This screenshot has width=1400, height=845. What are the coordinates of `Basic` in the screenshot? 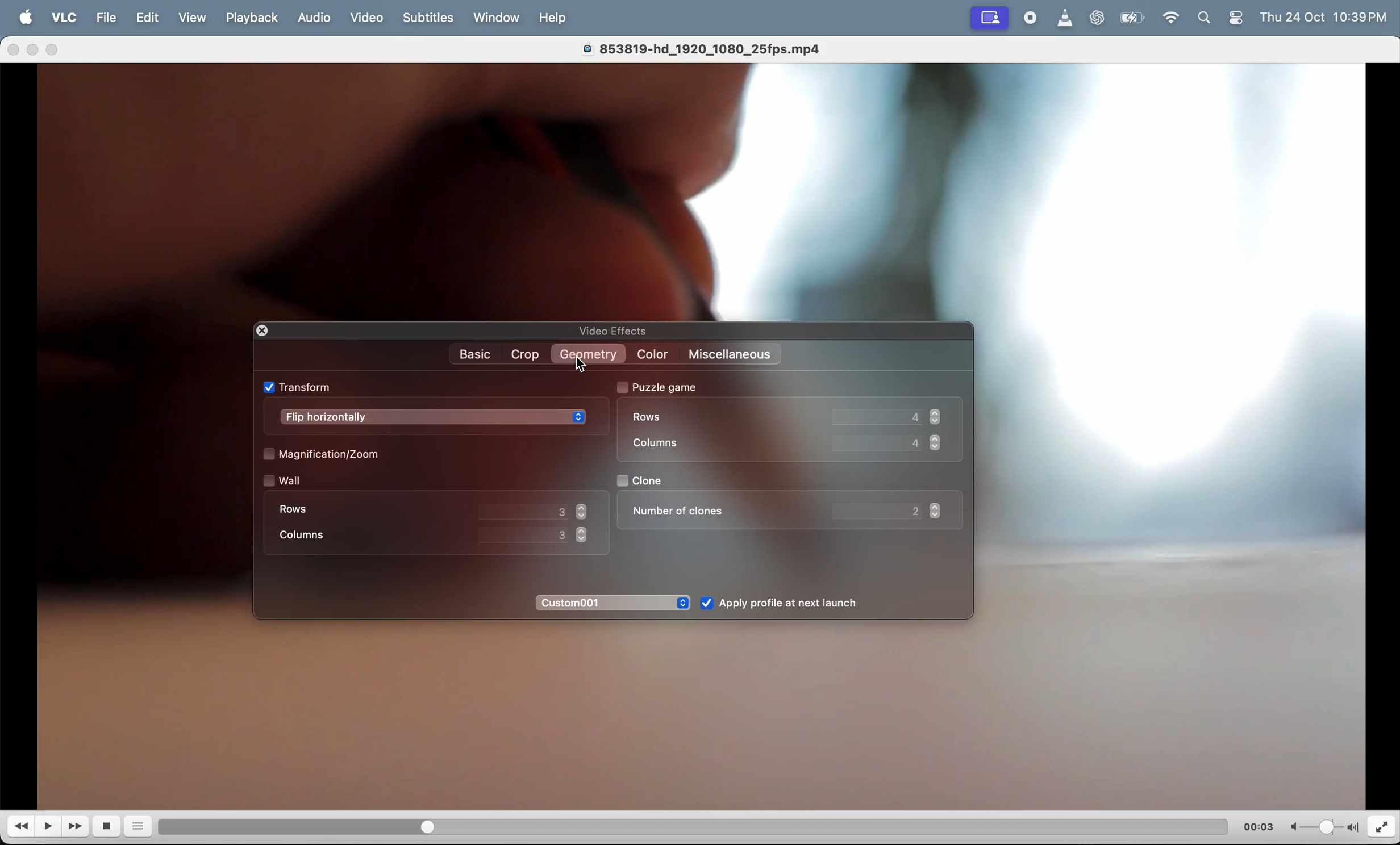 It's located at (478, 353).